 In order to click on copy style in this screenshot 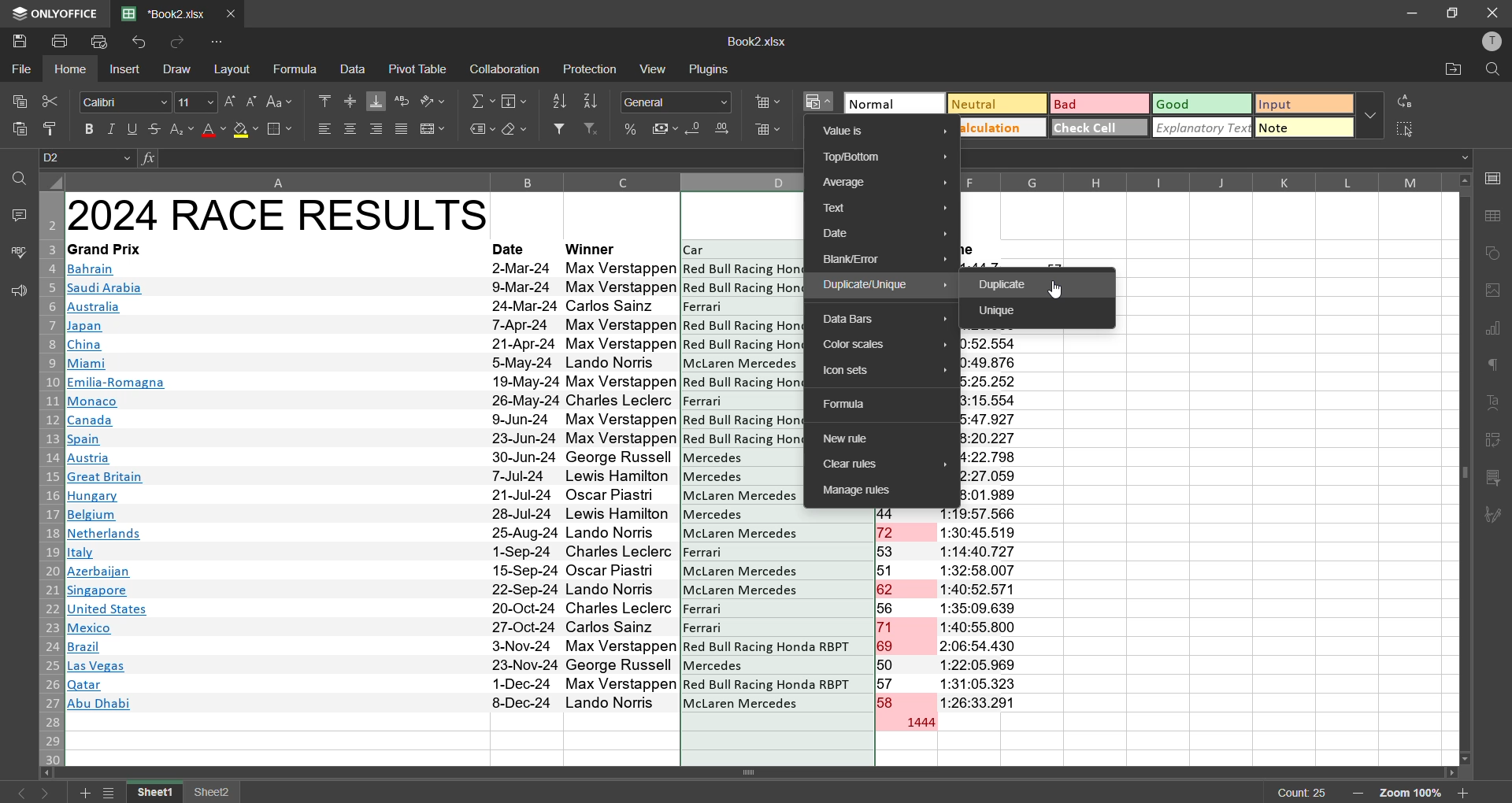, I will do `click(56, 129)`.